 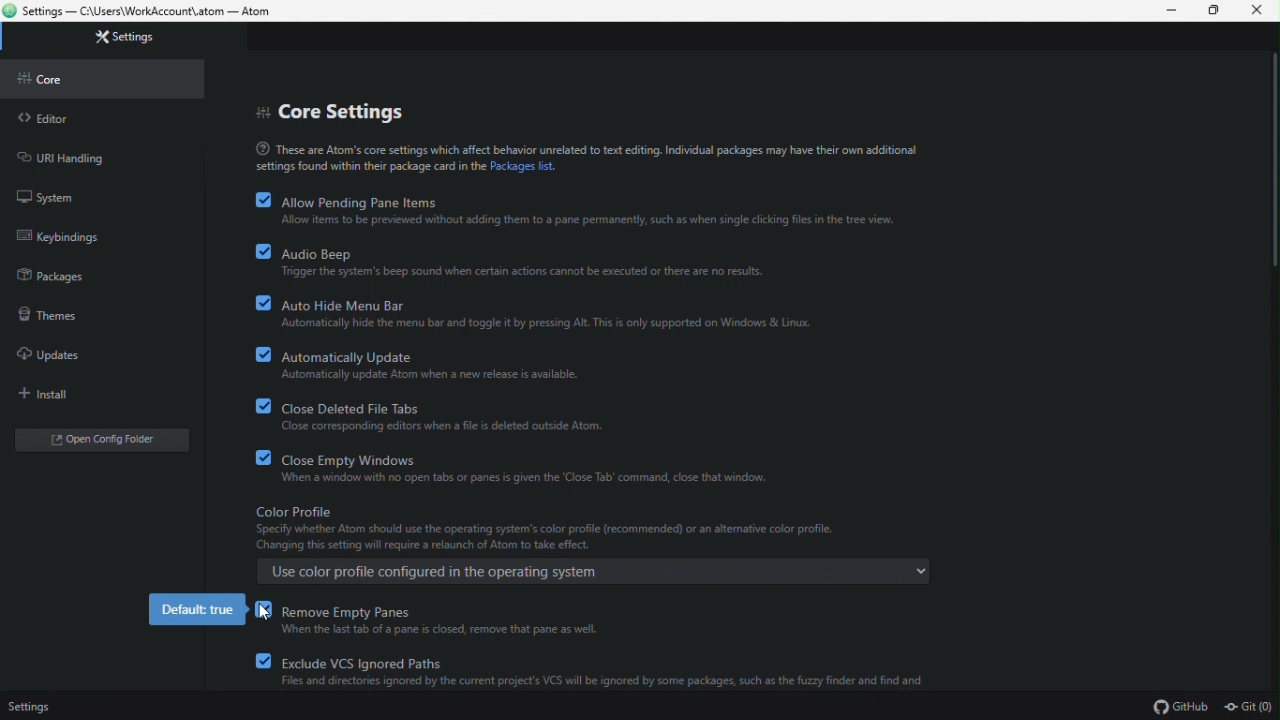 I want to click on system, so click(x=48, y=196).